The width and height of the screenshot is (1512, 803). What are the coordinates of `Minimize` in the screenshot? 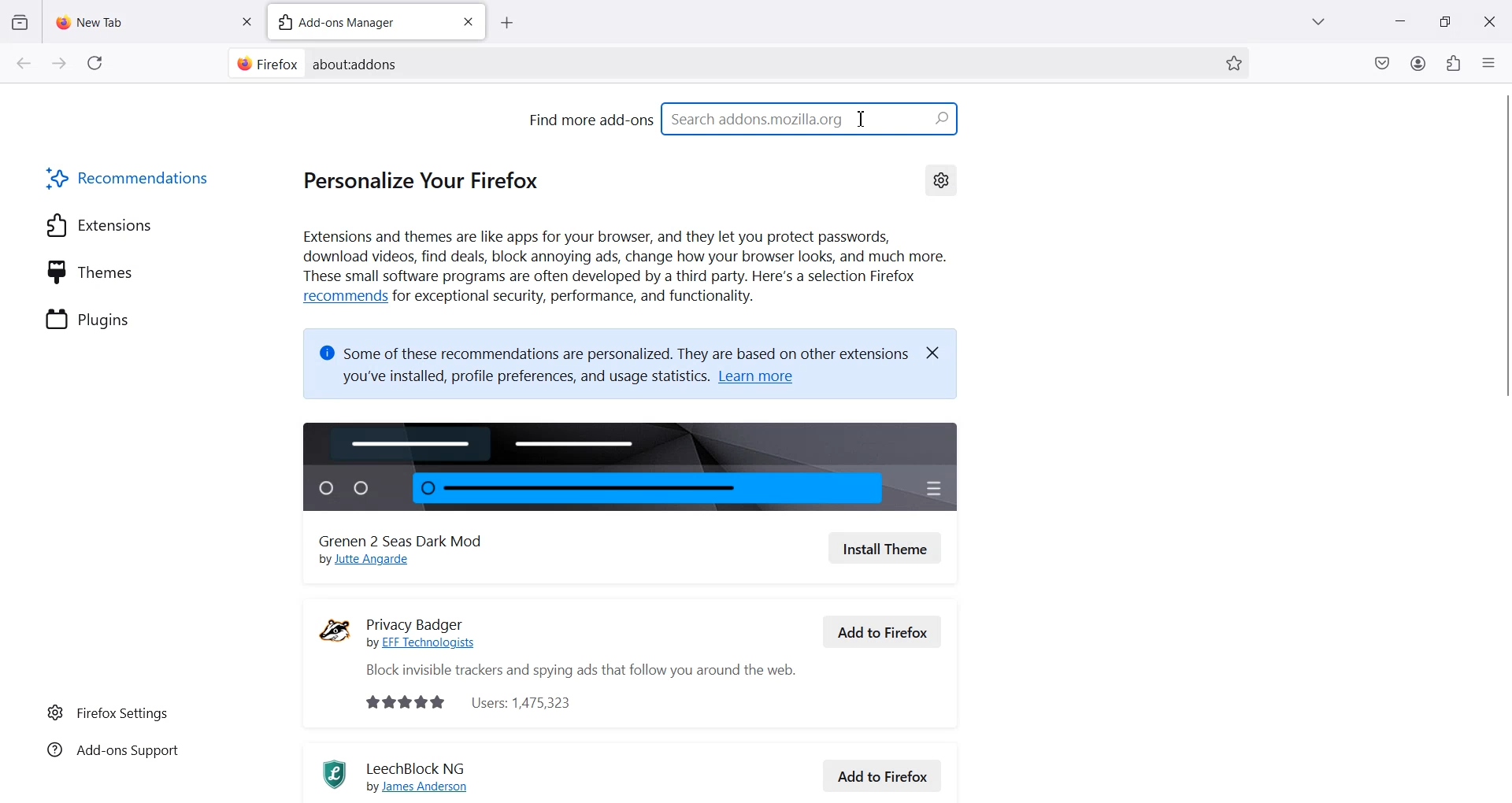 It's located at (1400, 21).